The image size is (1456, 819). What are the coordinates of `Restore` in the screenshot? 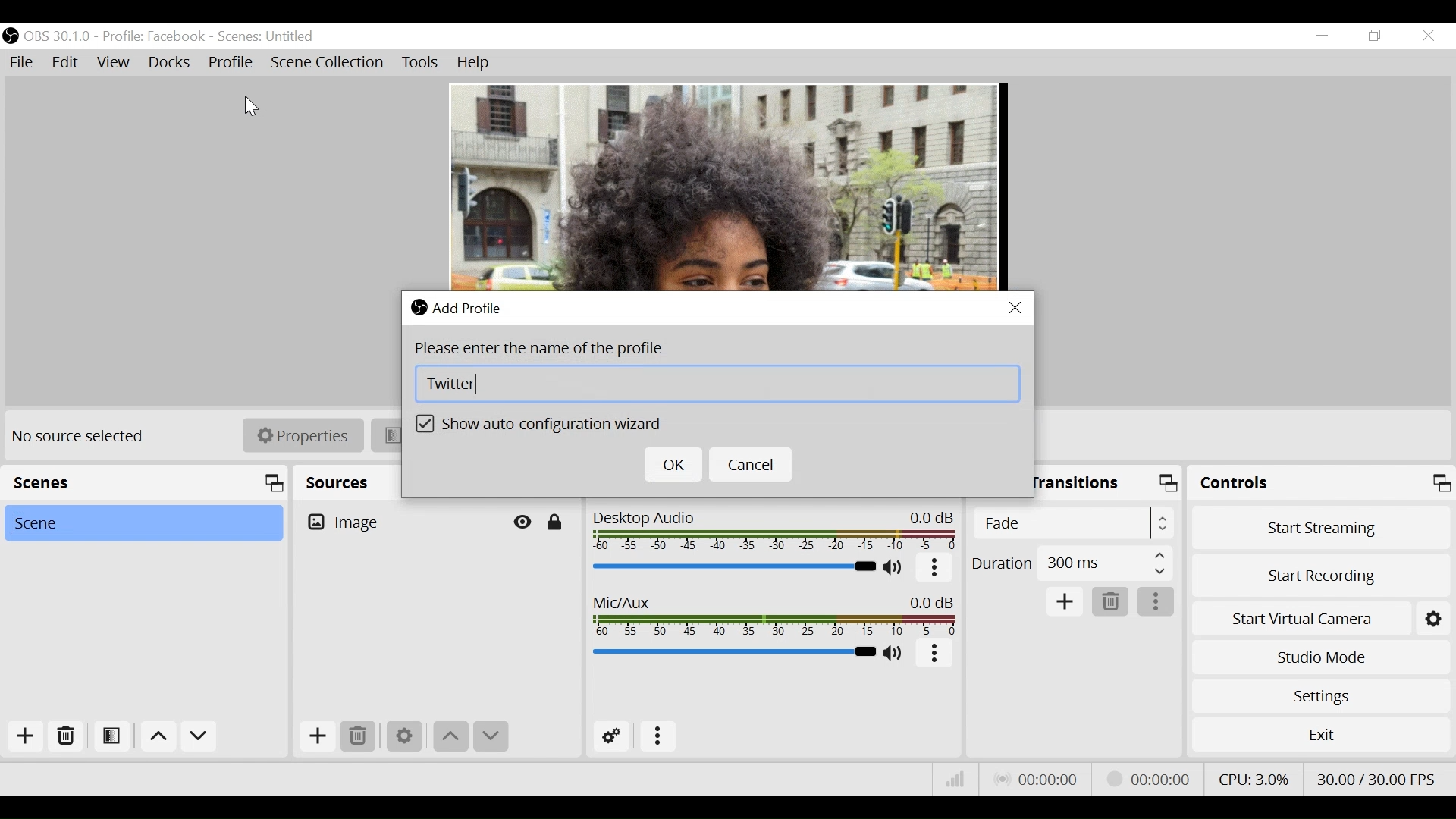 It's located at (1373, 36).